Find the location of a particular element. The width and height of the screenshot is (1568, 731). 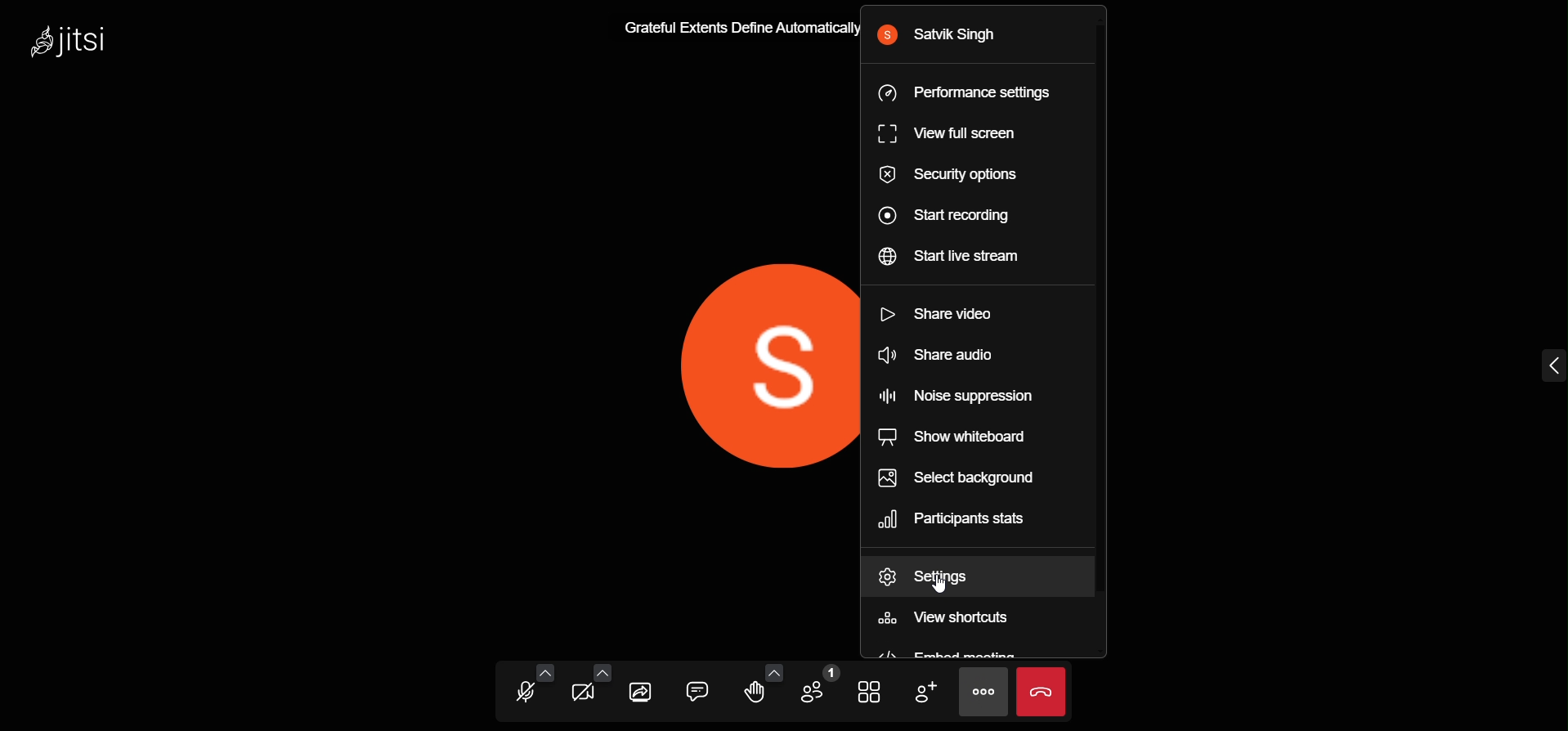

display picture is located at coordinates (748, 362).